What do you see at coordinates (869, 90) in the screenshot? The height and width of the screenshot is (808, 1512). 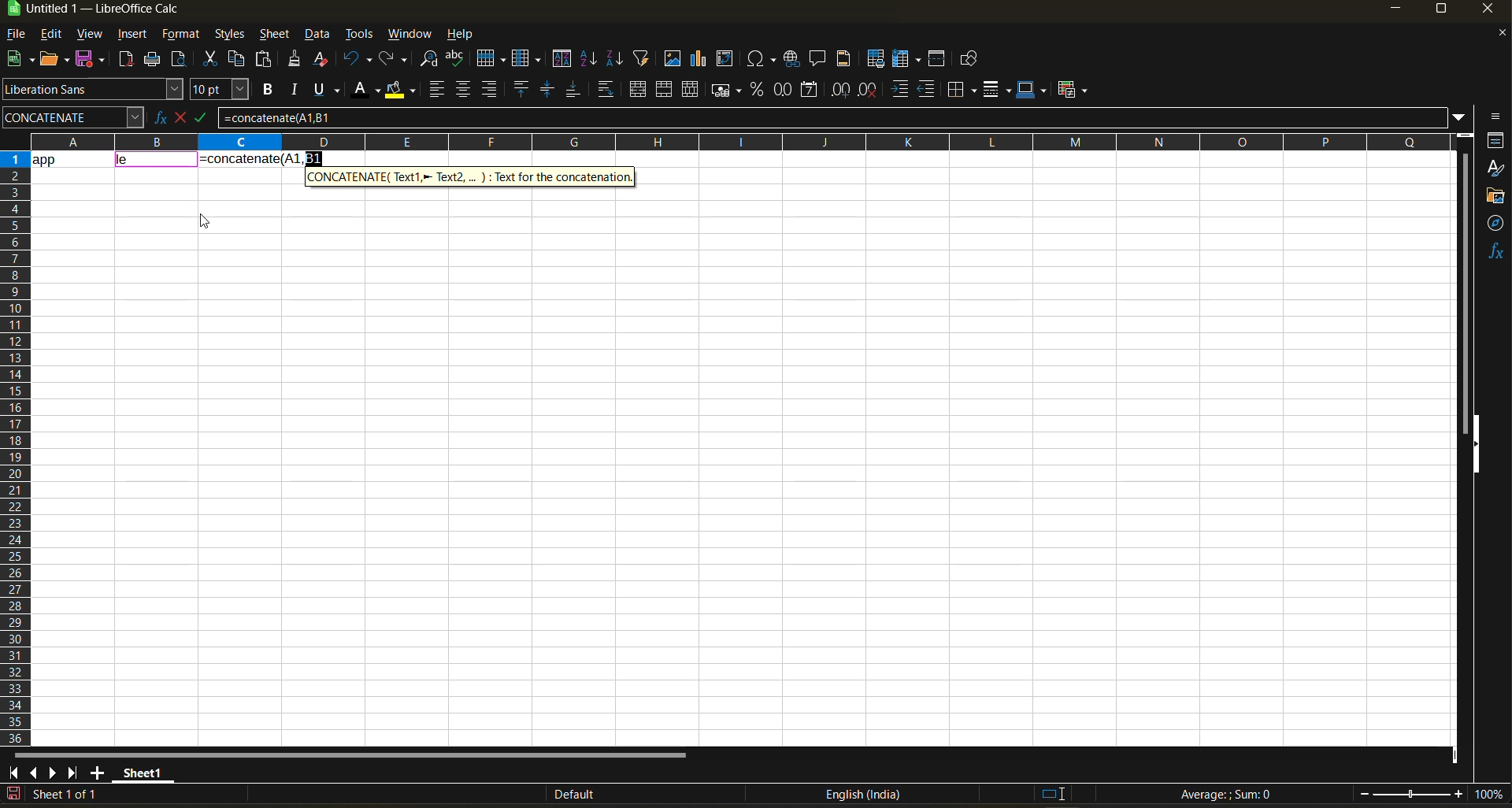 I see `delete decimal place` at bounding box center [869, 90].